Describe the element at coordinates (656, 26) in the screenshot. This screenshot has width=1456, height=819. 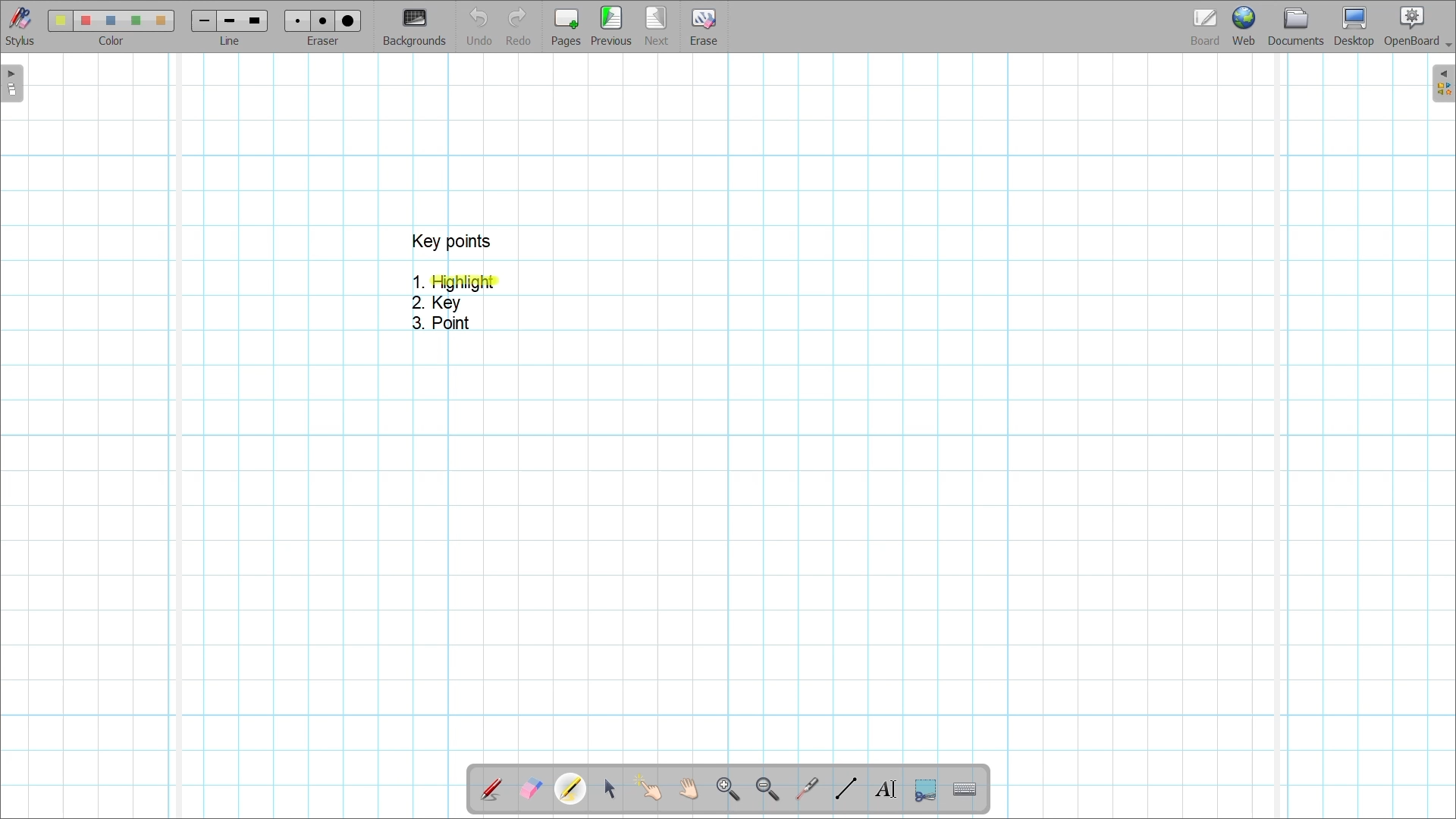
I see `Go to next page` at that location.